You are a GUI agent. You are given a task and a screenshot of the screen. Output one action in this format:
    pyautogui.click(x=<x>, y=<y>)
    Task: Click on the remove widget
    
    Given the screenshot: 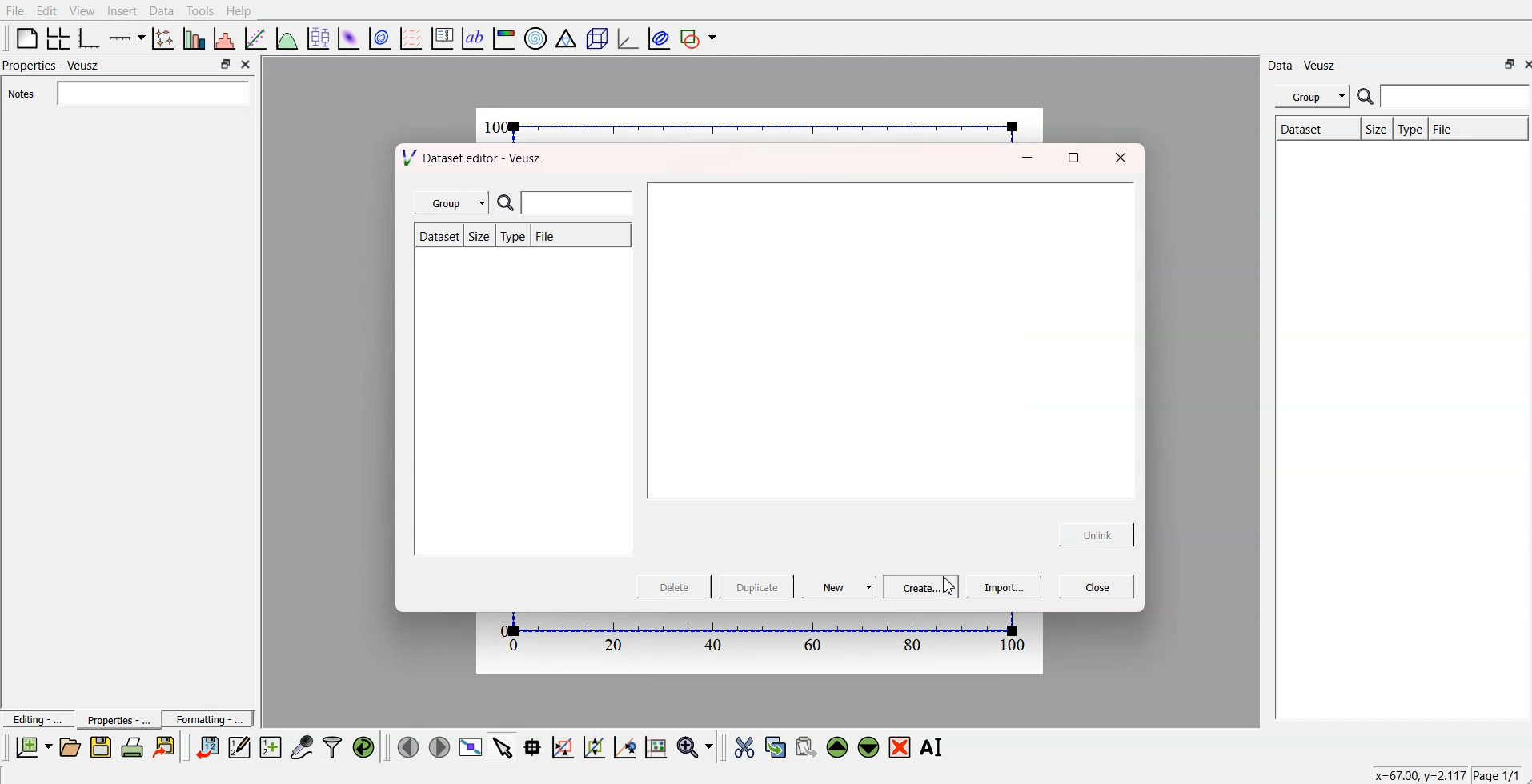 What is the action you would take?
    pyautogui.click(x=900, y=746)
    